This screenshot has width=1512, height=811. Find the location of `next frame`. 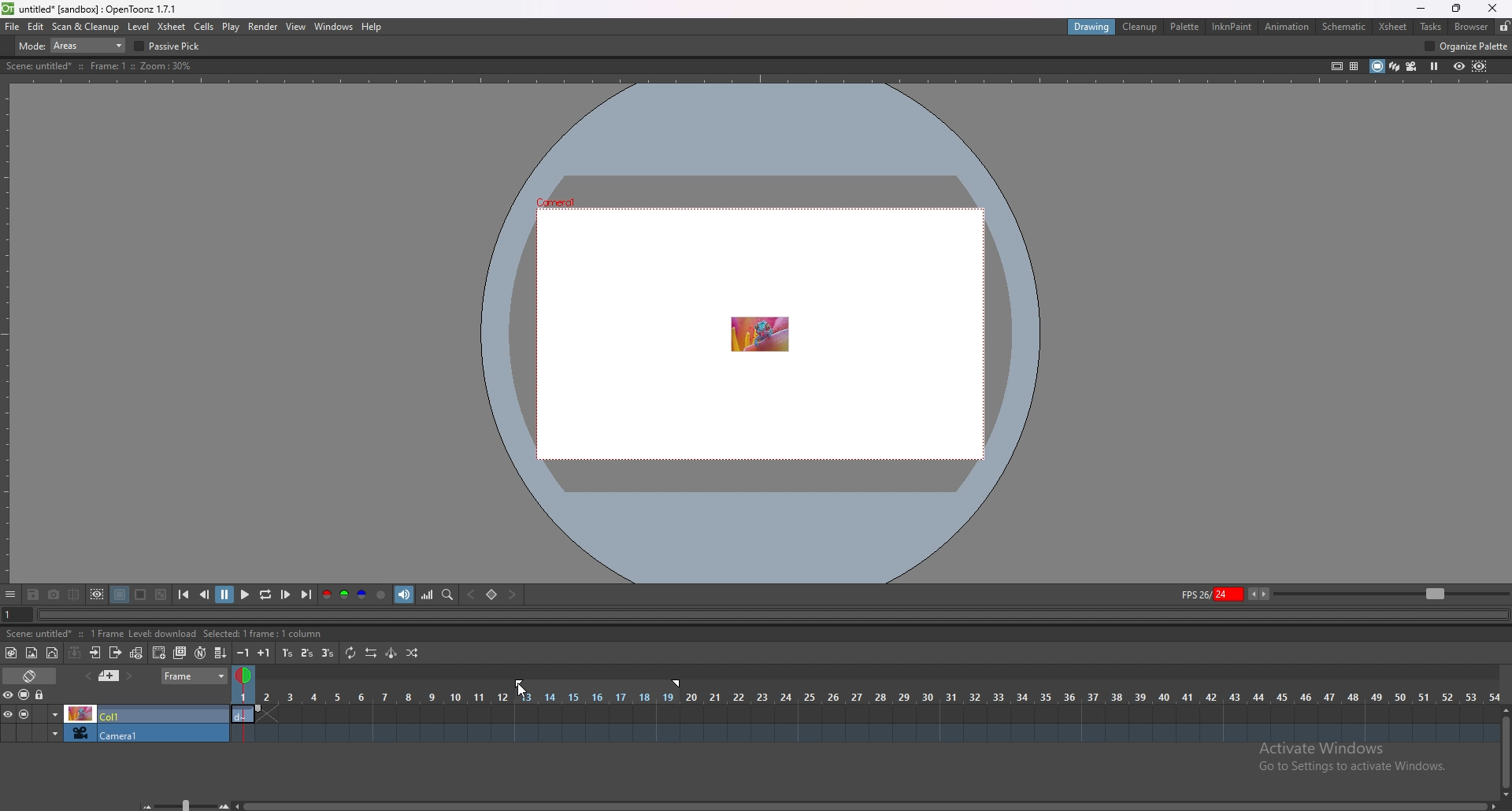

next frame is located at coordinates (287, 594).